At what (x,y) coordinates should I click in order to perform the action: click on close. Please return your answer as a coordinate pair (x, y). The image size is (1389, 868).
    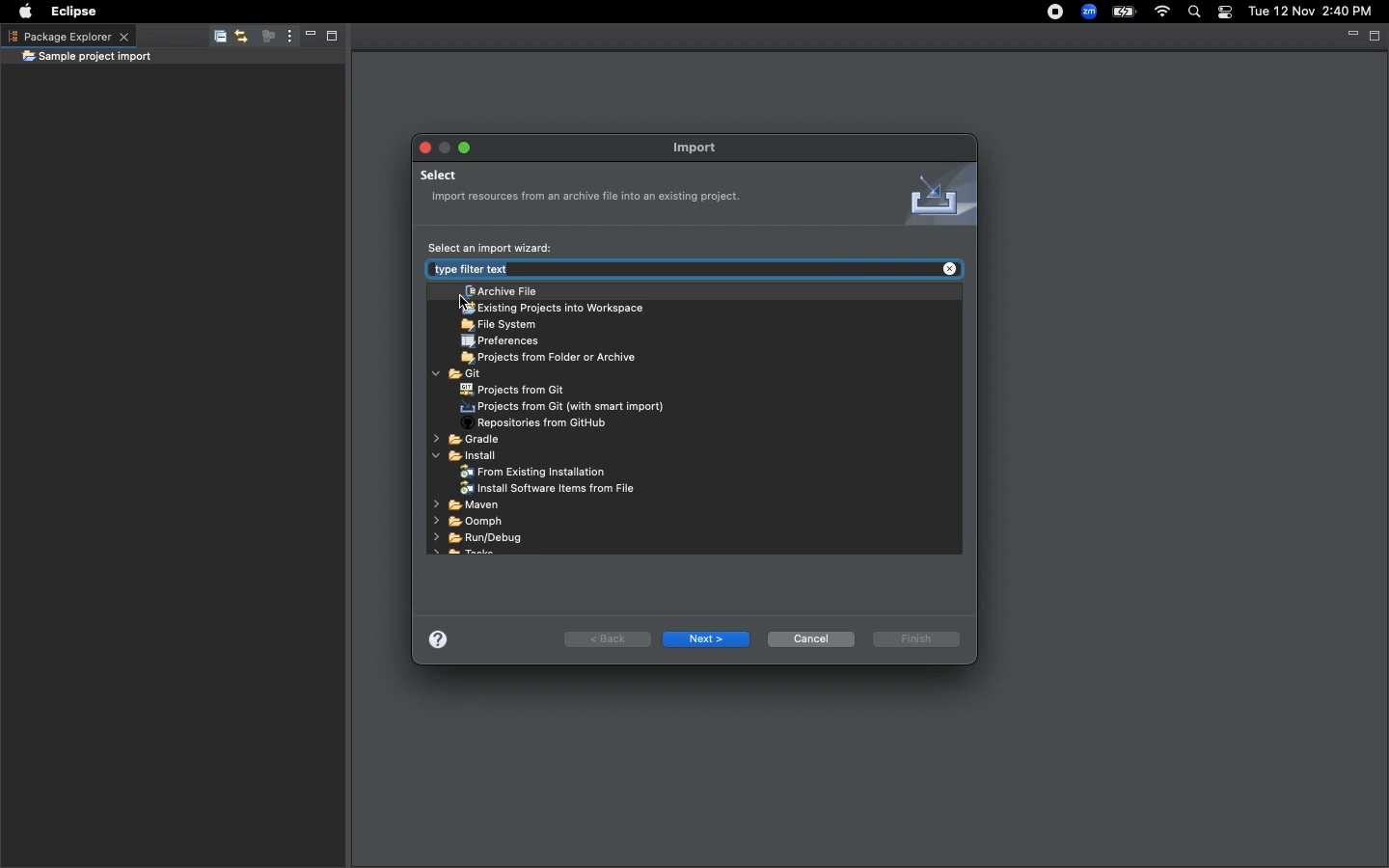
    Looking at the image, I should click on (949, 266).